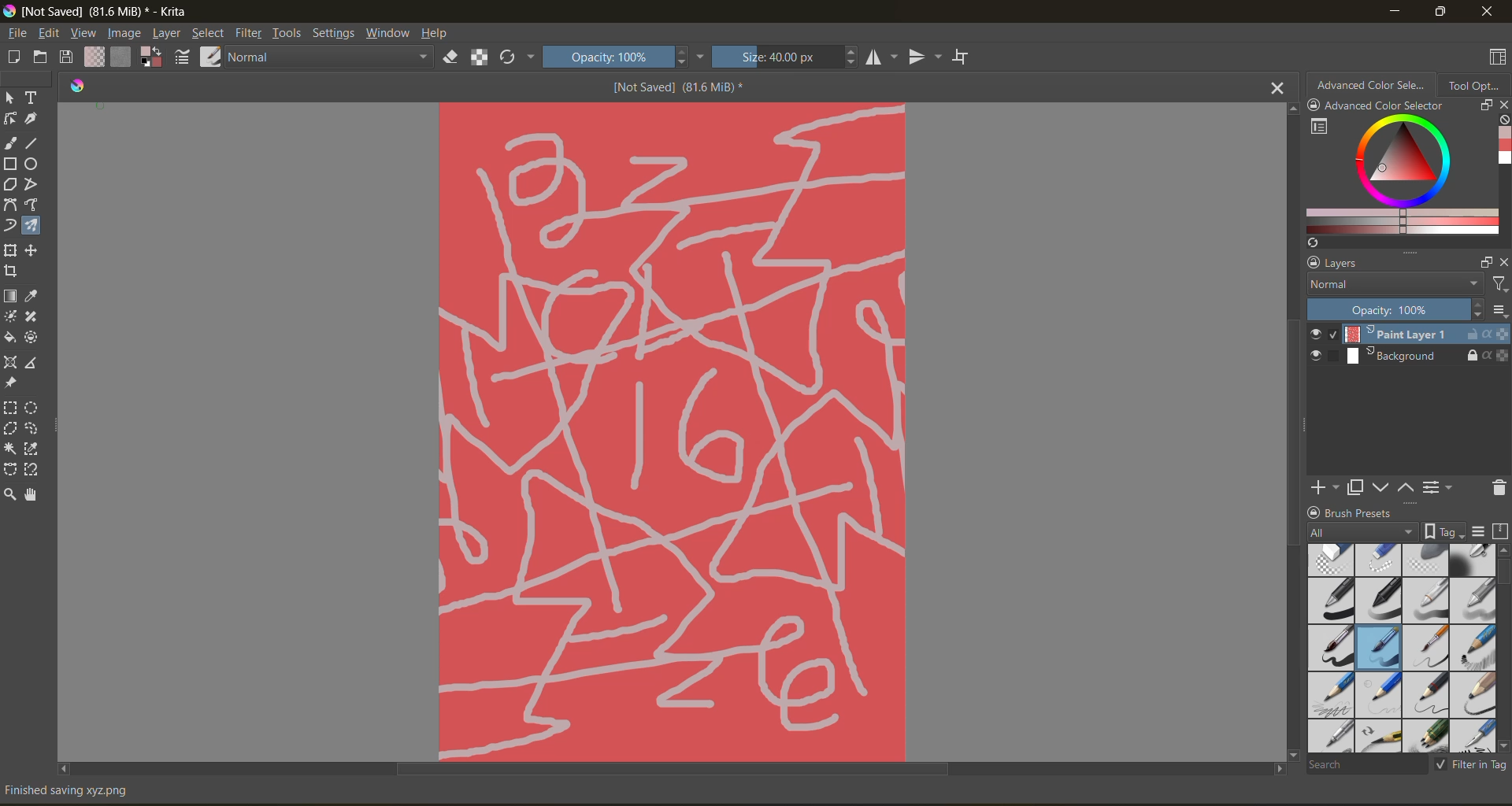 The width and height of the screenshot is (1512, 806). I want to click on flip horizontally, so click(879, 57).